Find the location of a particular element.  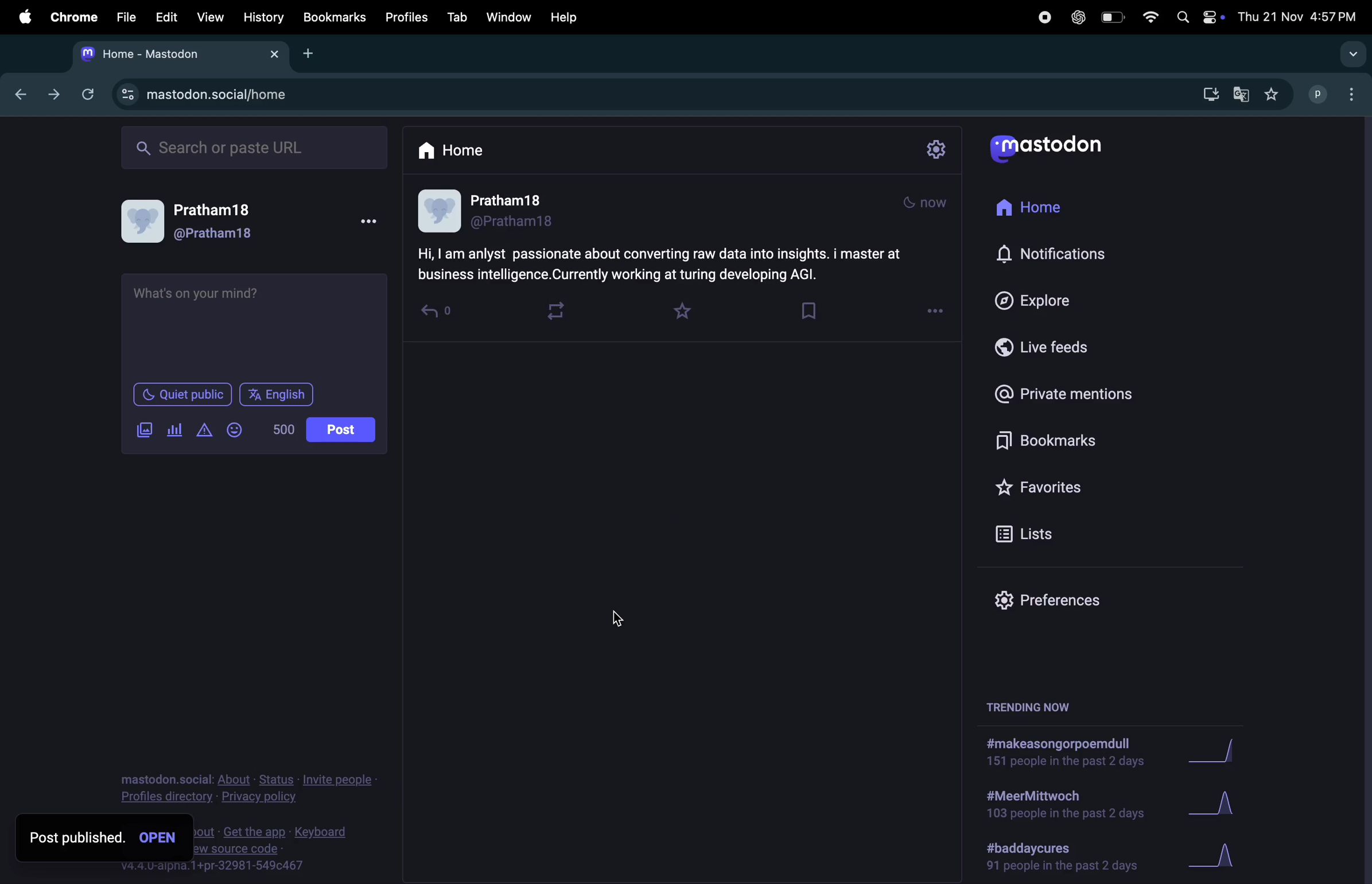

add image is located at coordinates (148, 431).